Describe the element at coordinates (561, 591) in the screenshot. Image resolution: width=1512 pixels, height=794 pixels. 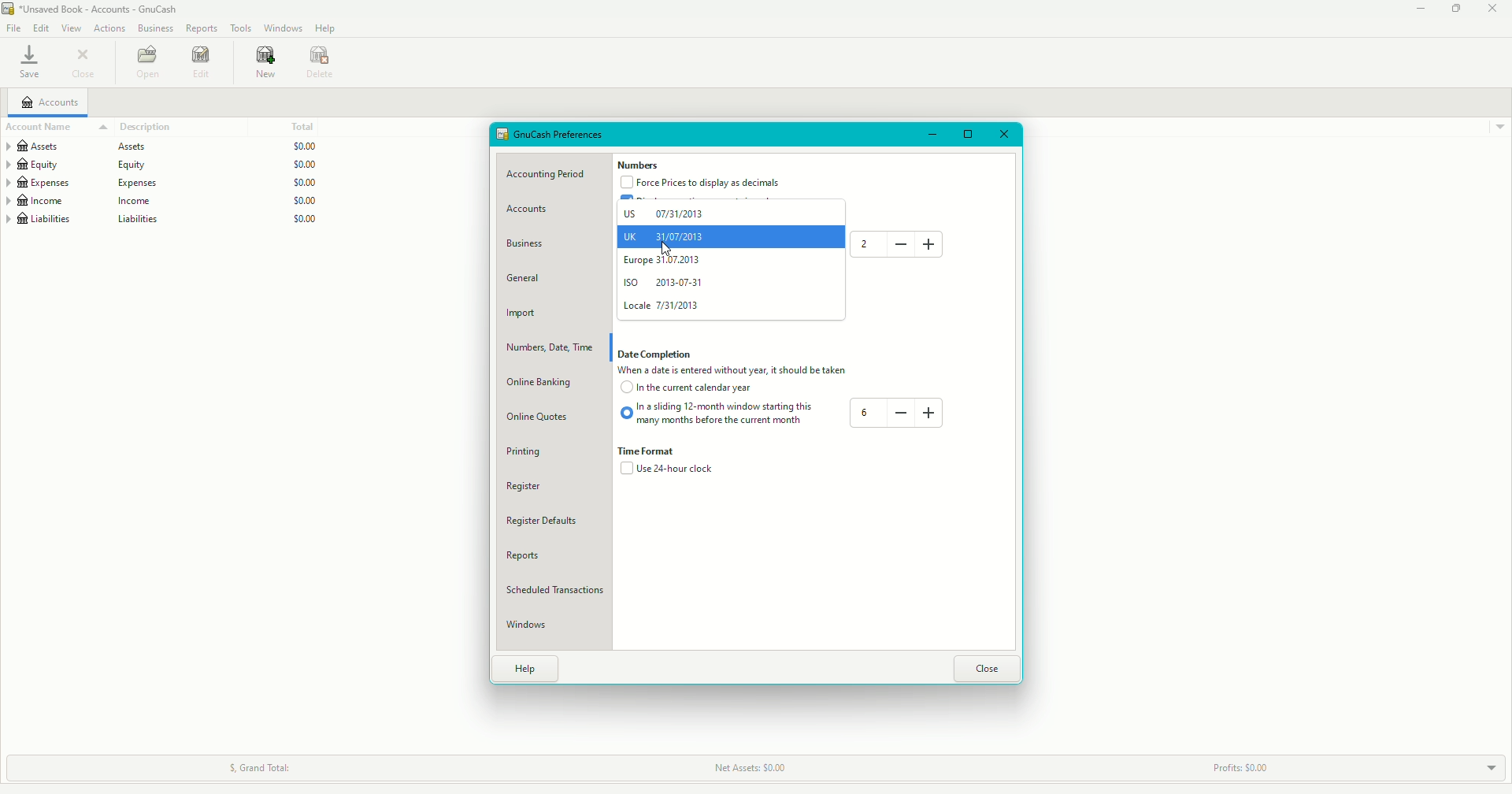
I see `Scheduled Transactions` at that location.